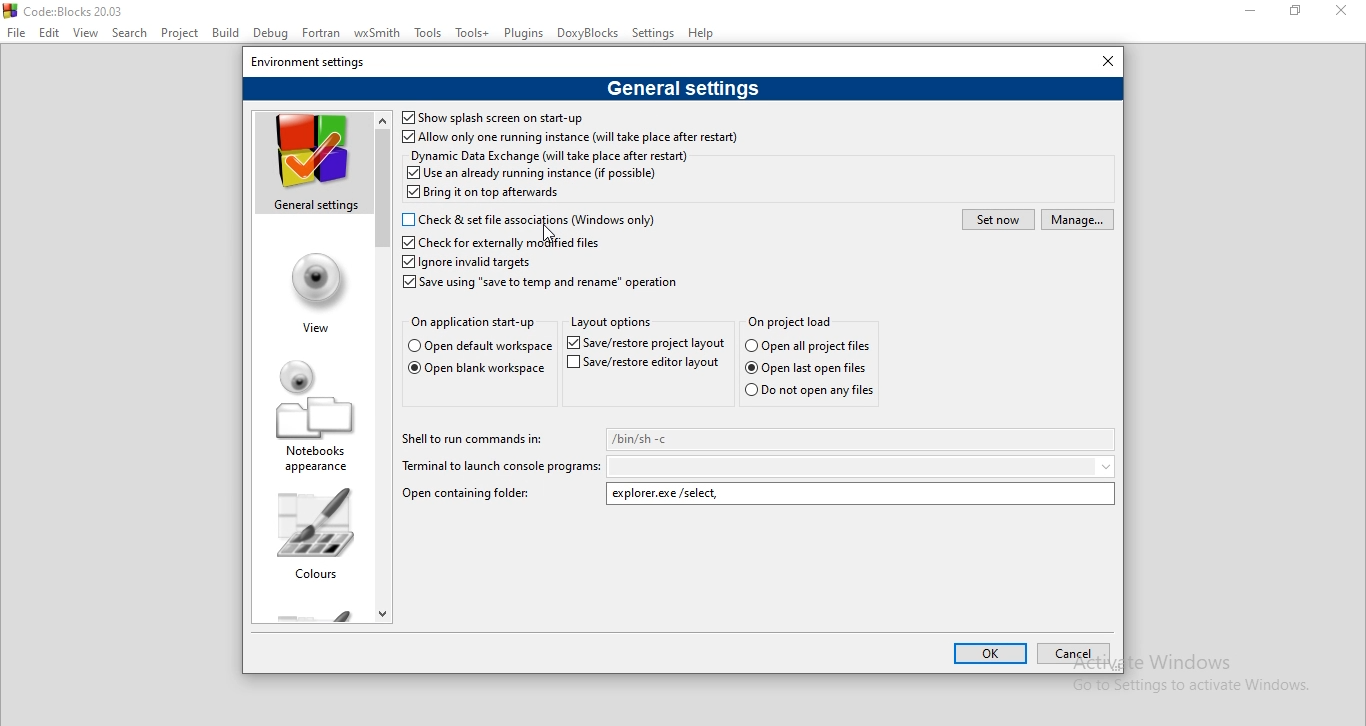 The height and width of the screenshot is (726, 1366). Describe the element at coordinates (319, 33) in the screenshot. I see `Fortran` at that location.